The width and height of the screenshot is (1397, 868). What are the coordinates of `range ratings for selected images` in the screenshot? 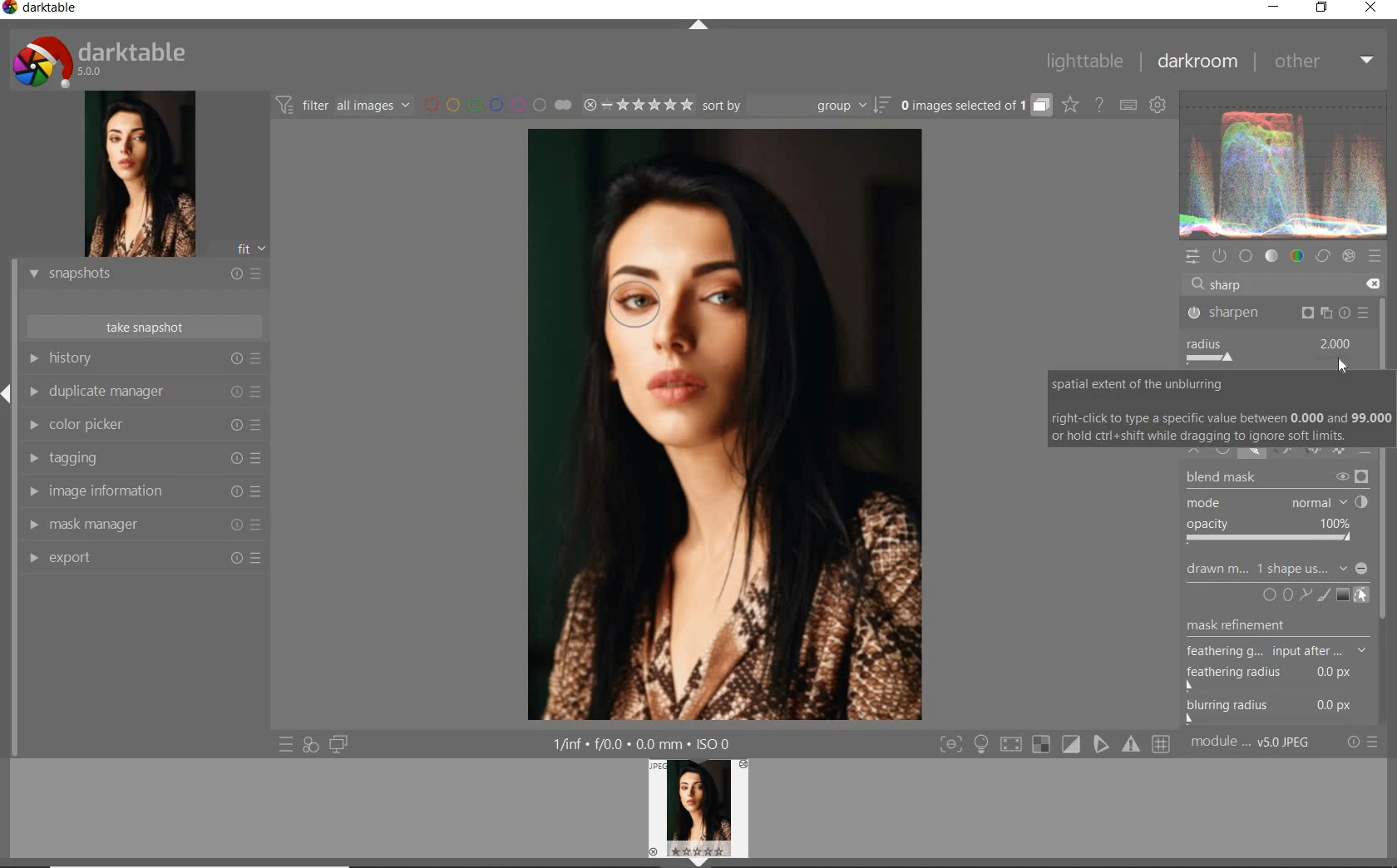 It's located at (623, 106).